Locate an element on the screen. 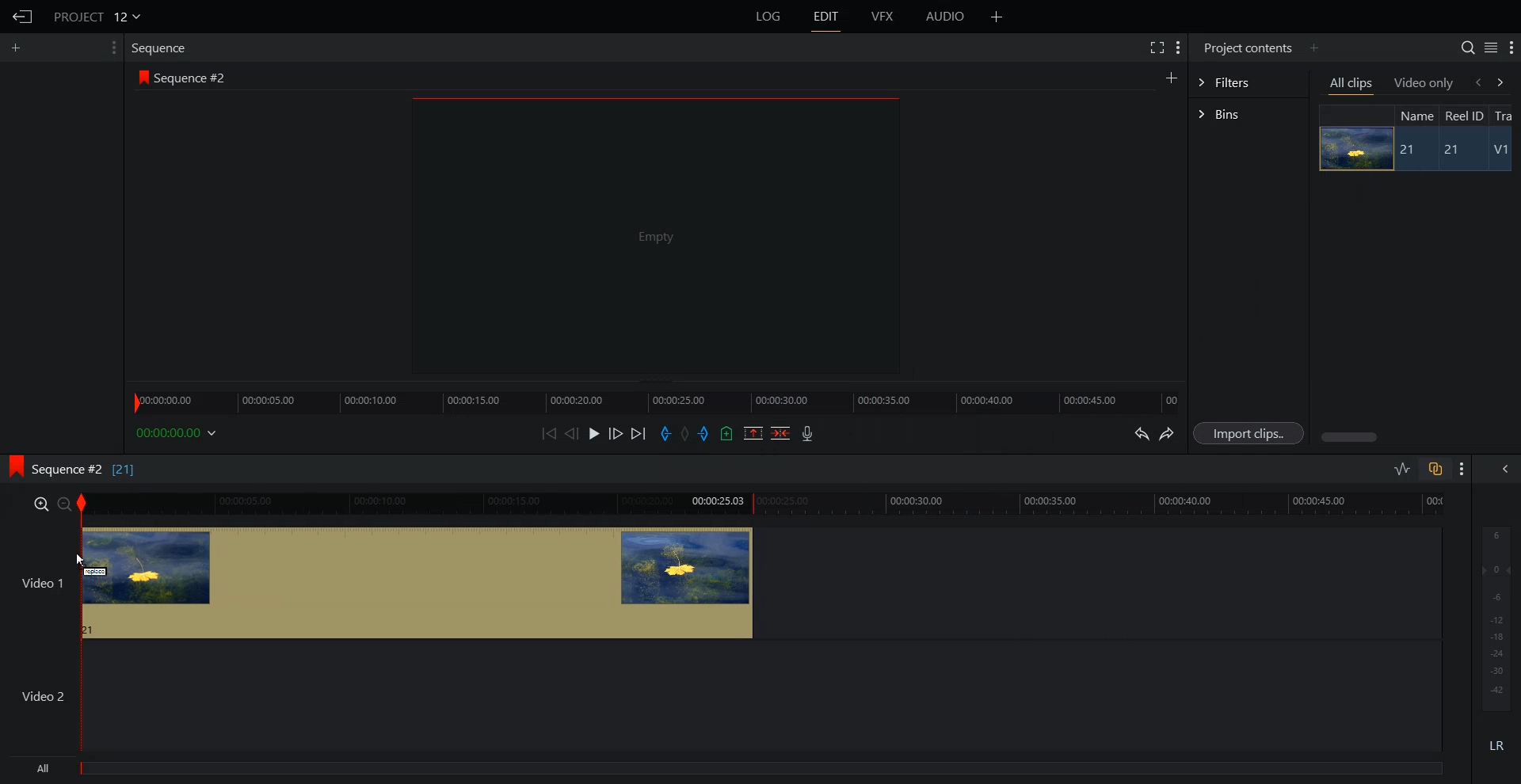 This screenshot has width=1521, height=784. zoom in/zoom out is located at coordinates (49, 503).